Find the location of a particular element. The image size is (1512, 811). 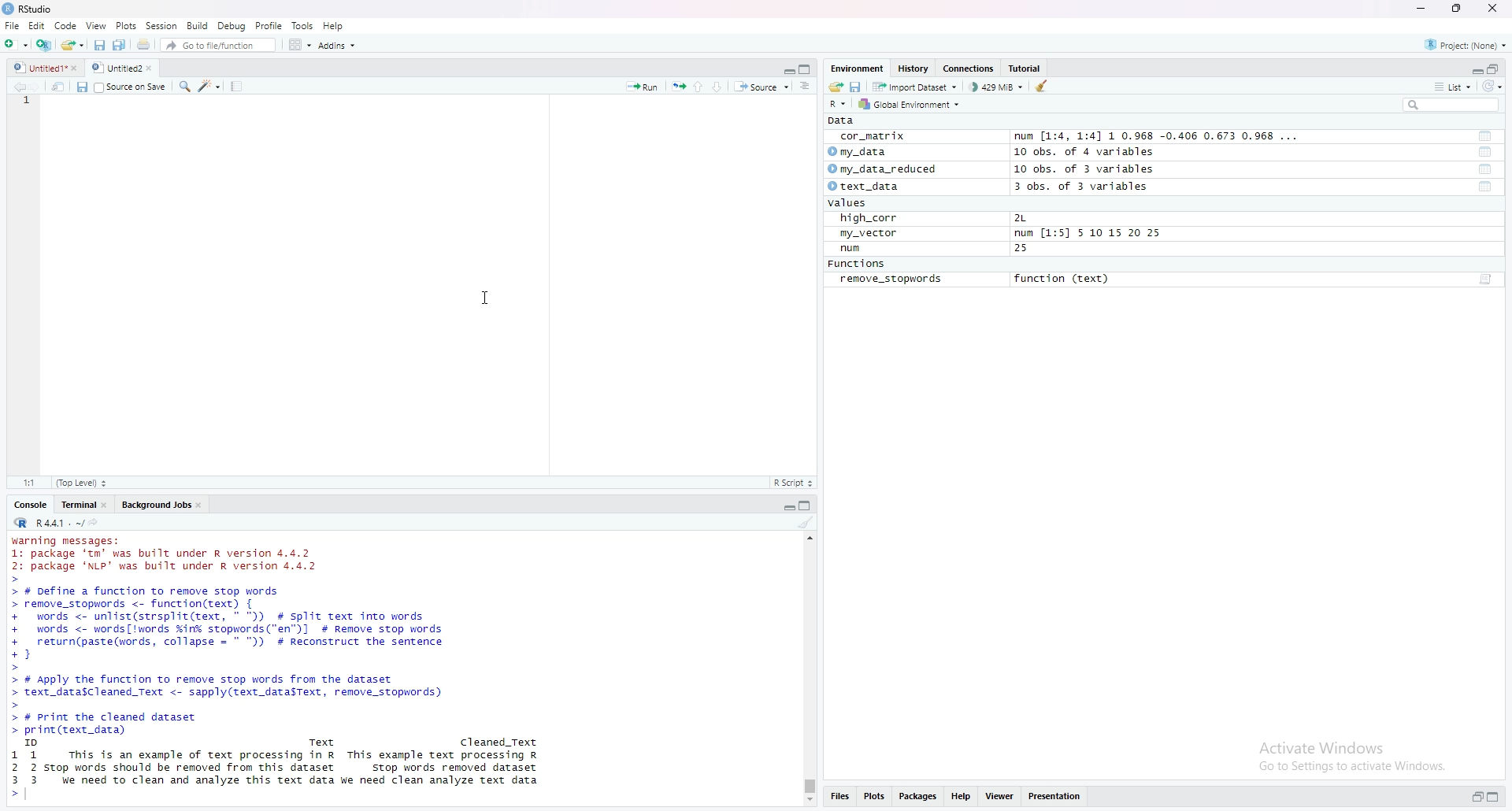

Cursor is located at coordinates (487, 297).